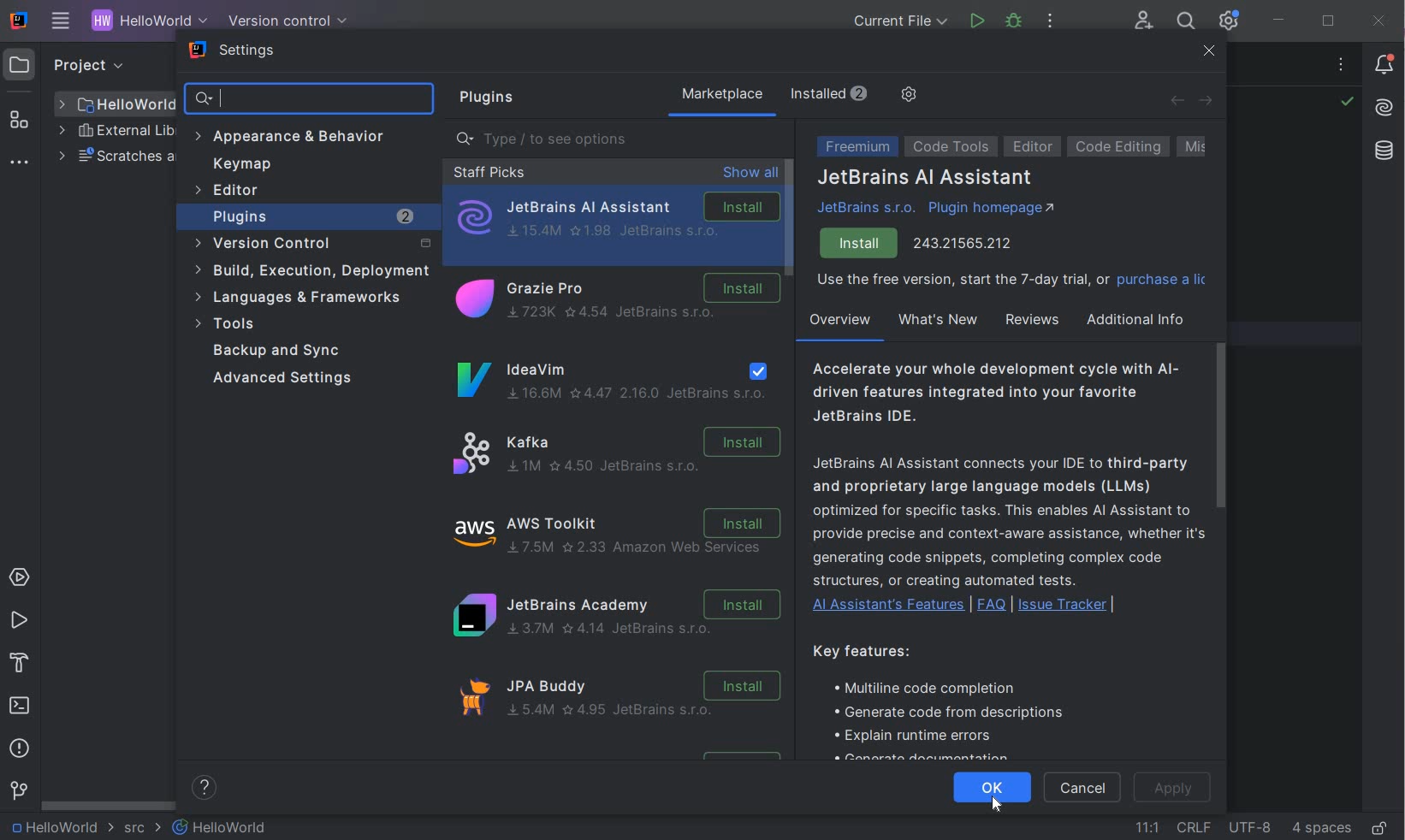 The height and width of the screenshot is (840, 1405). I want to click on TERMINAL, so click(21, 707).